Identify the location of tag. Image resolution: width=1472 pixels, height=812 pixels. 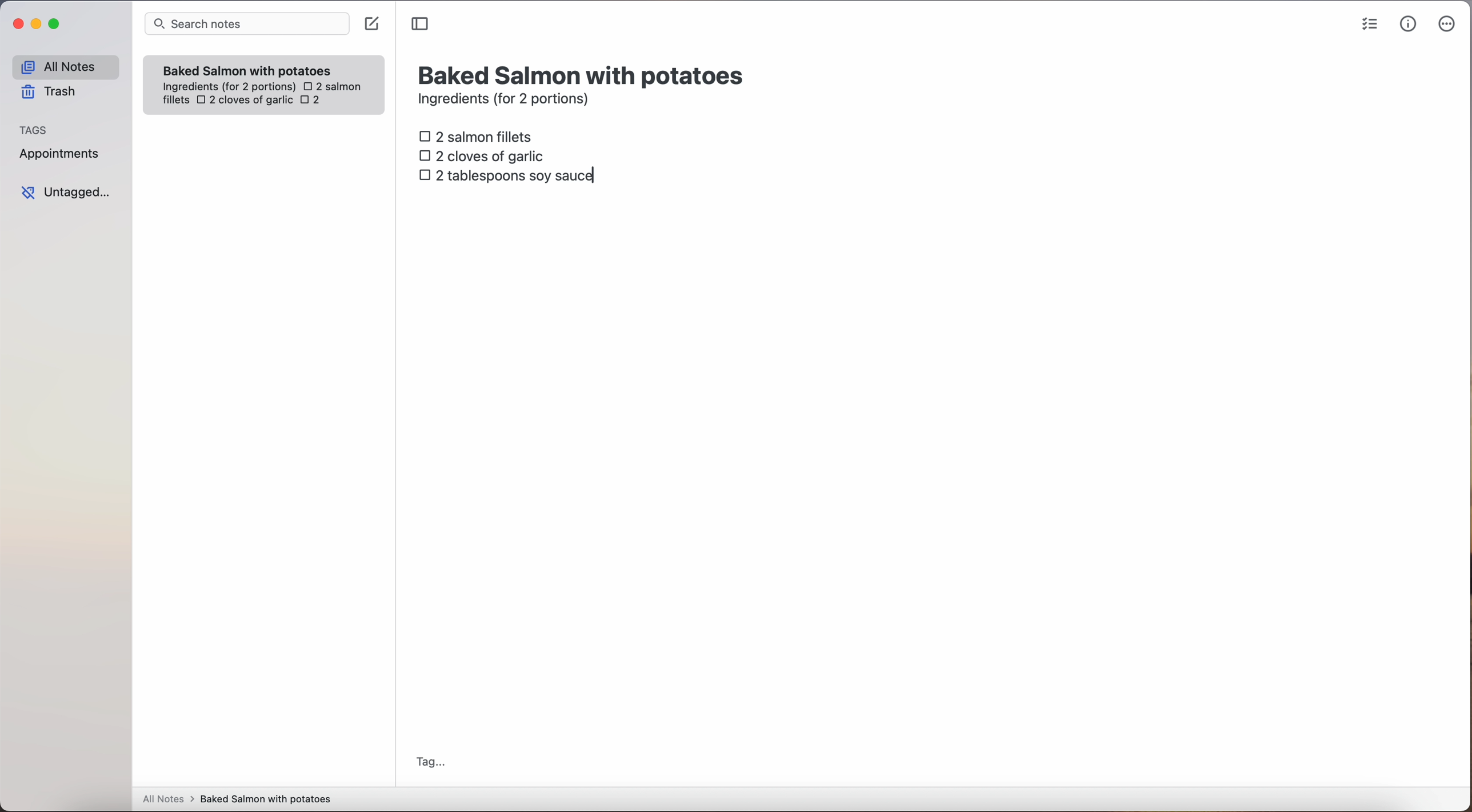
(430, 763).